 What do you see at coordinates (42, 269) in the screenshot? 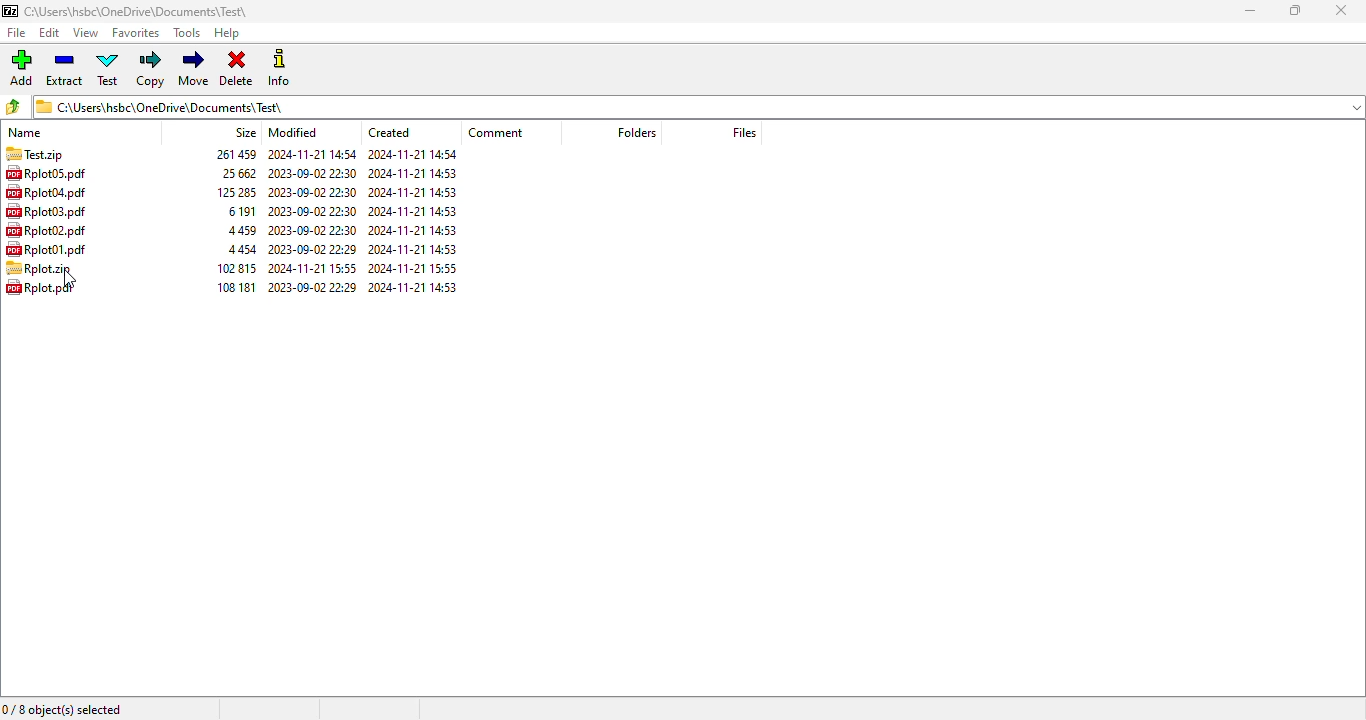
I see `Rplot.zip` at bounding box center [42, 269].